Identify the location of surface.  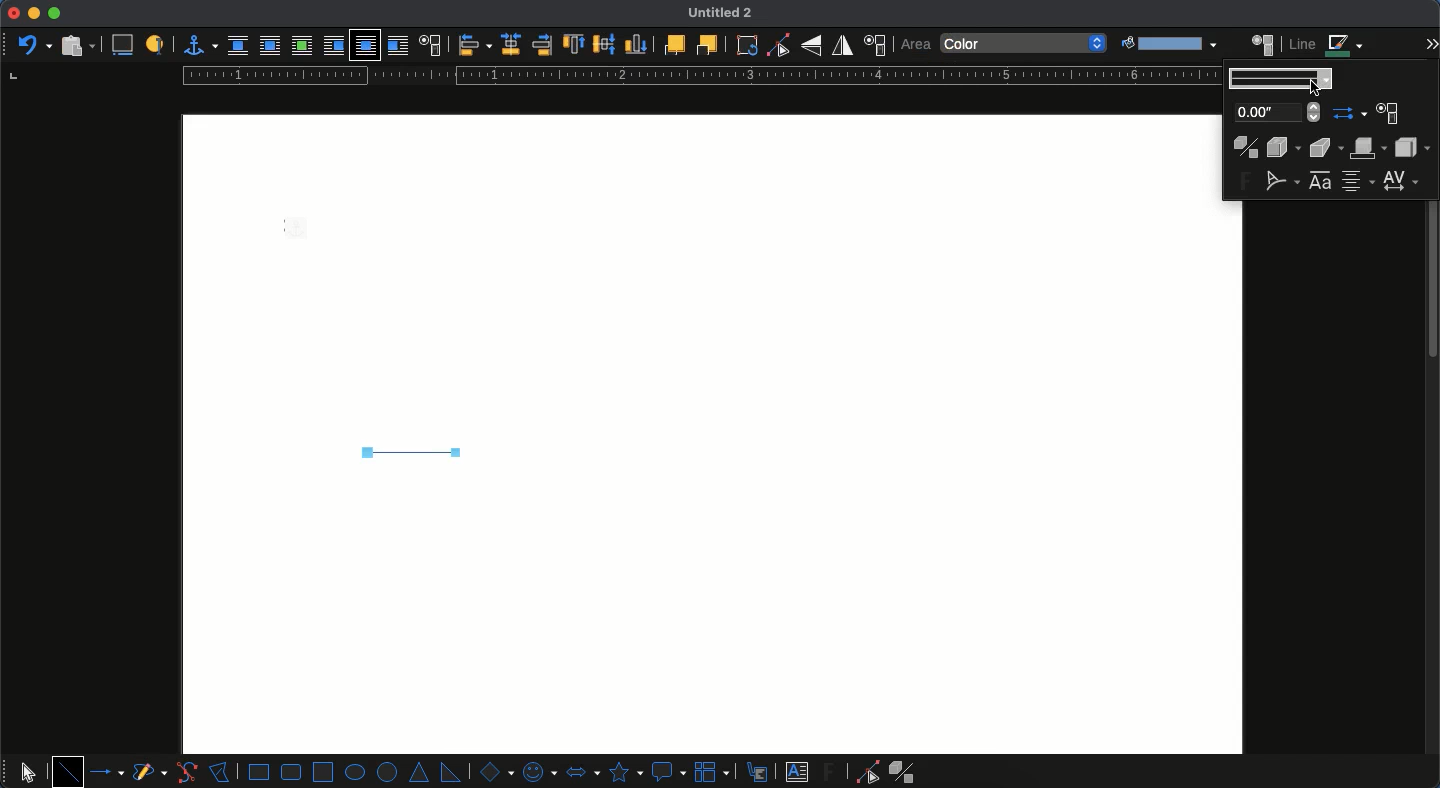
(1411, 147).